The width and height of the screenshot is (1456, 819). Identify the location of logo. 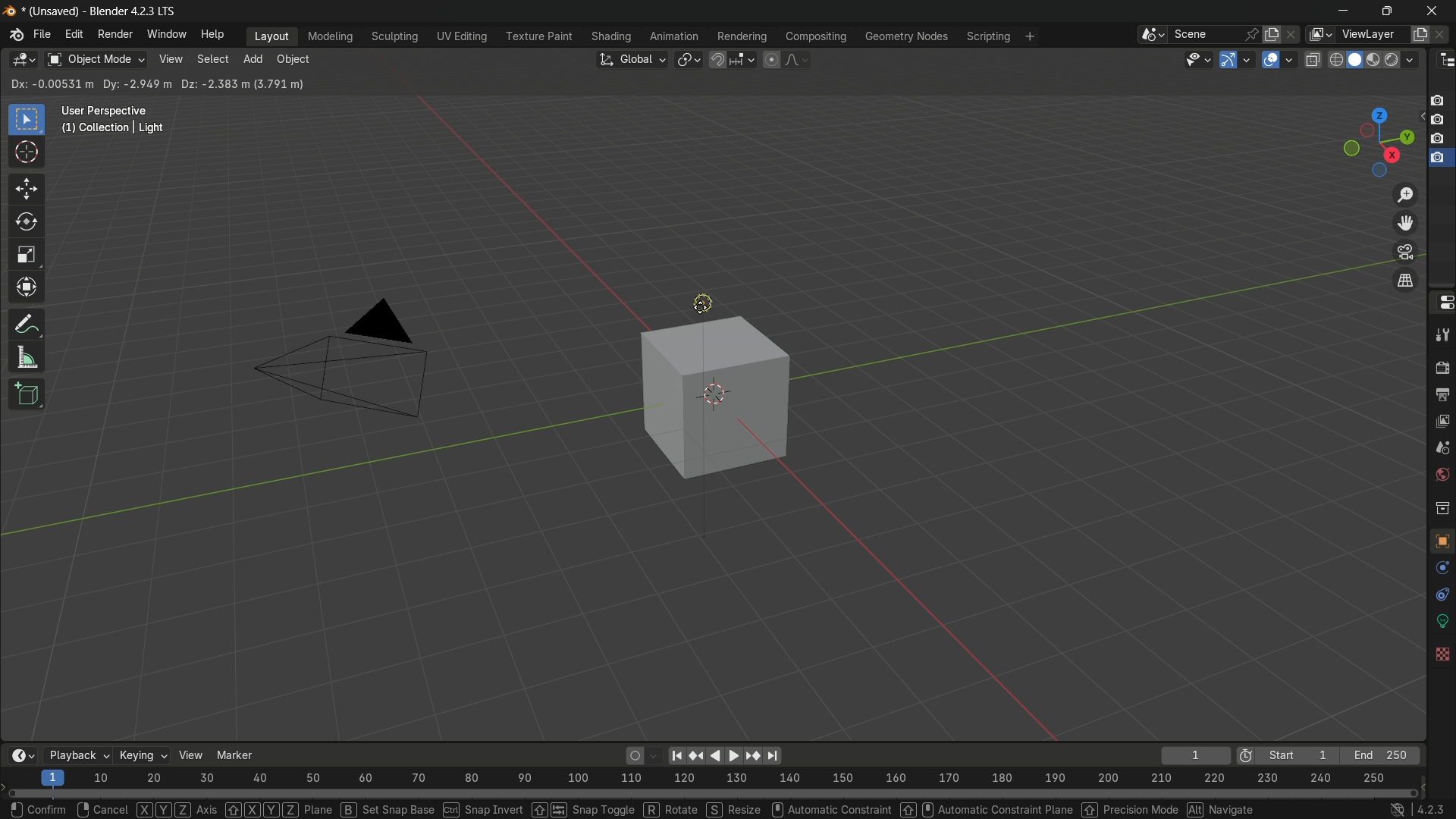
(14, 36).